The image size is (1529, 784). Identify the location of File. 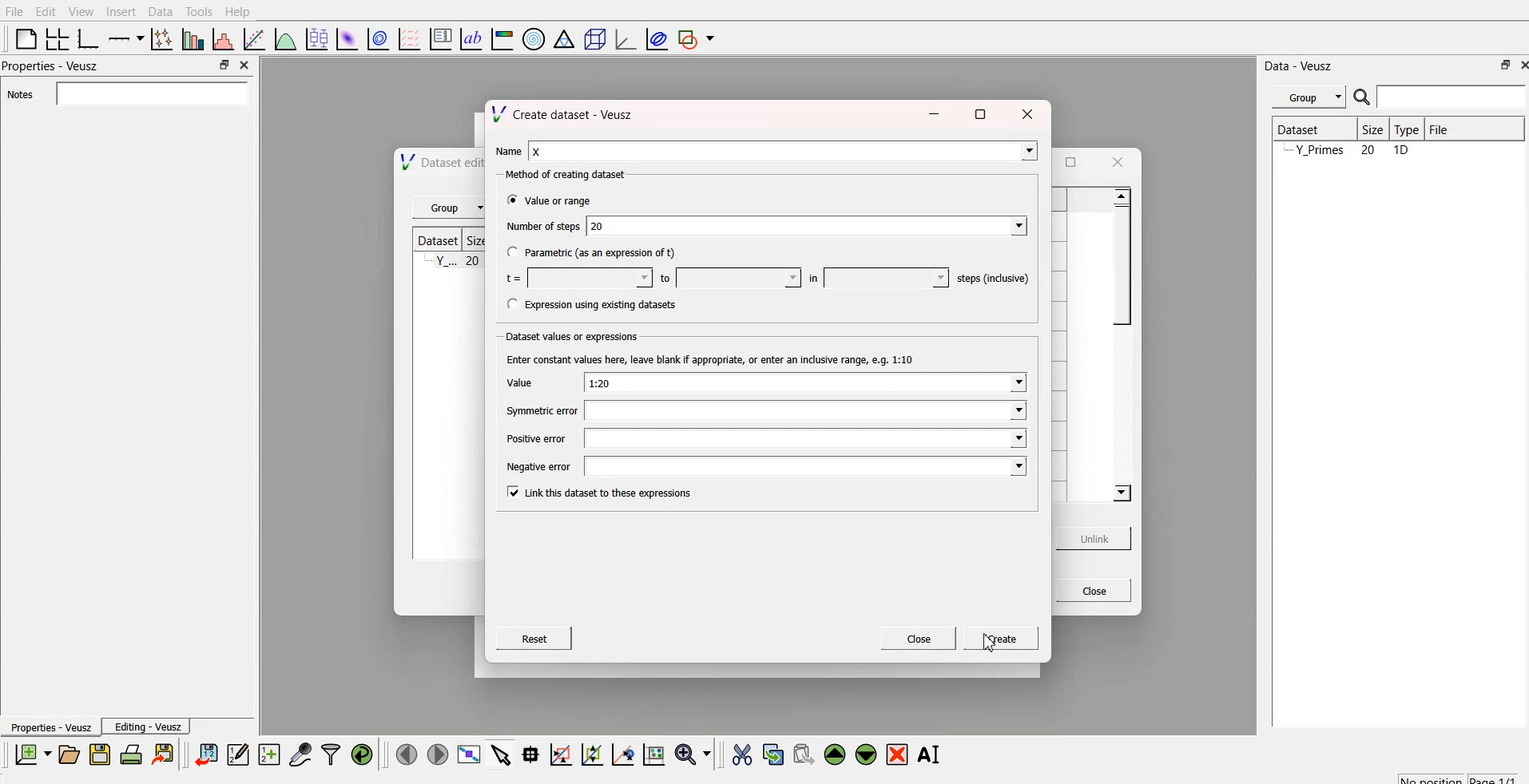
(1438, 127).